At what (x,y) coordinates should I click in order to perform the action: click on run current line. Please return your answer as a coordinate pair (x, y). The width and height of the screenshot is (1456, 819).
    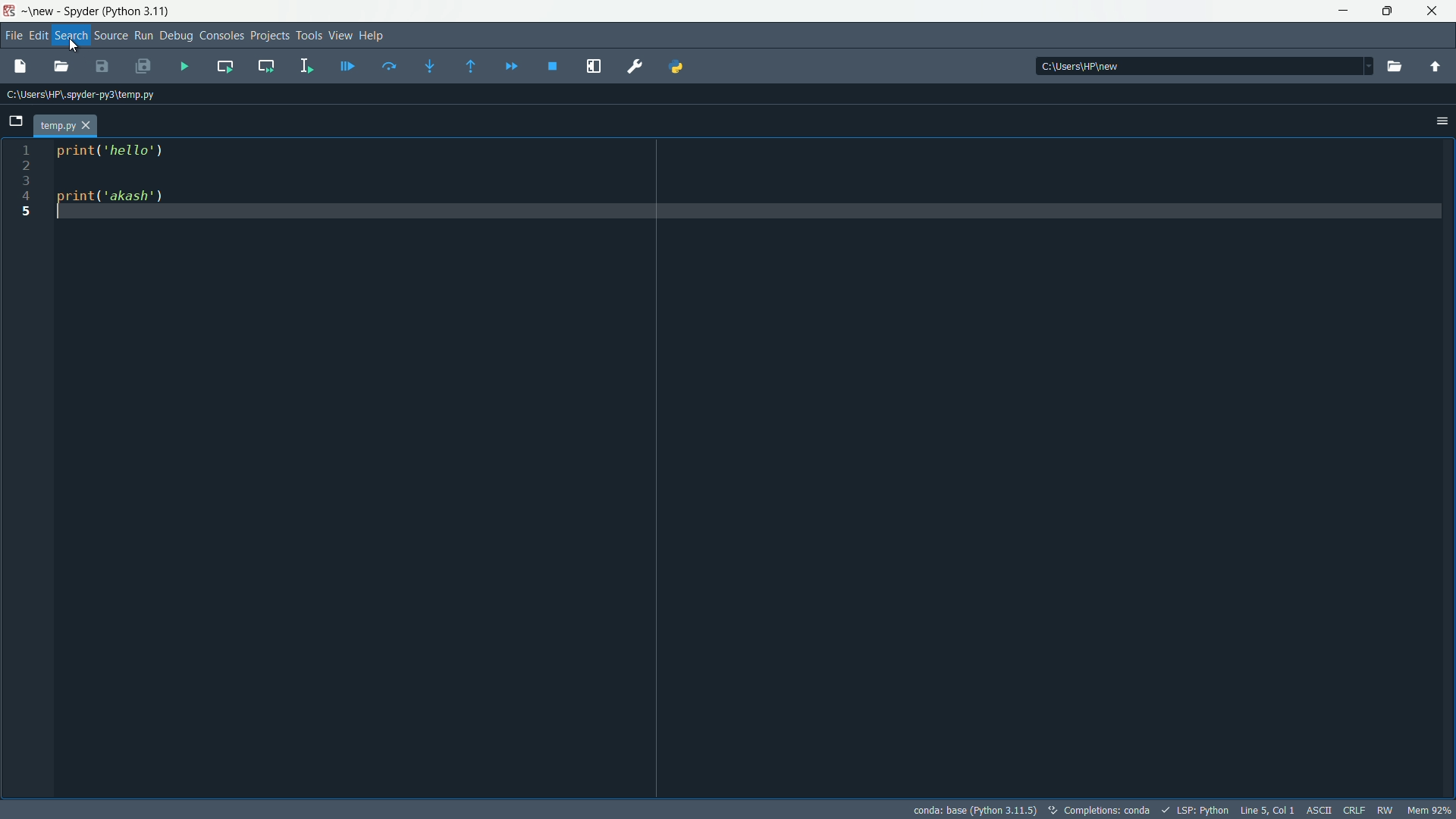
    Looking at the image, I should click on (388, 67).